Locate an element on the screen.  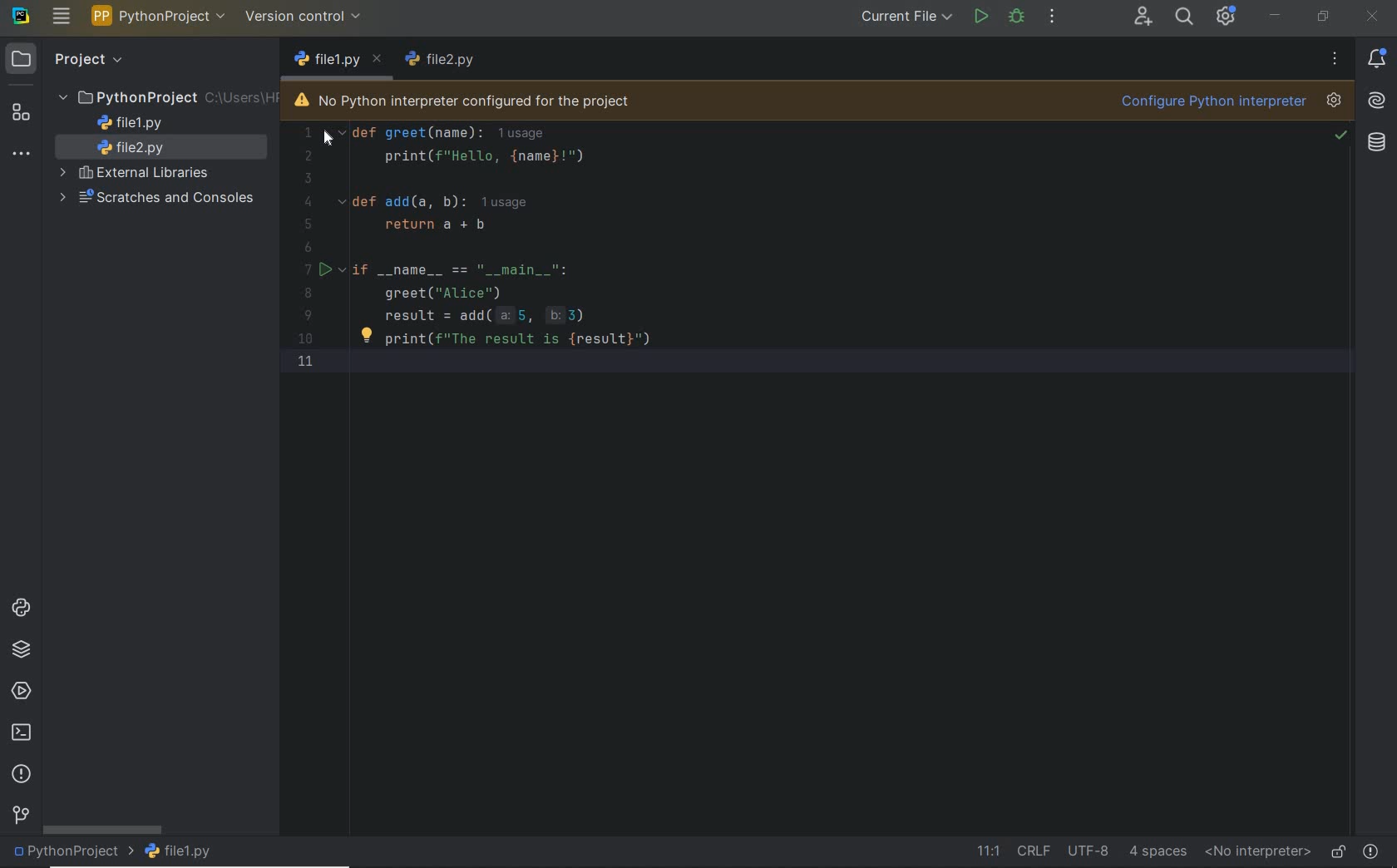
file encoding is located at coordinates (1089, 850).